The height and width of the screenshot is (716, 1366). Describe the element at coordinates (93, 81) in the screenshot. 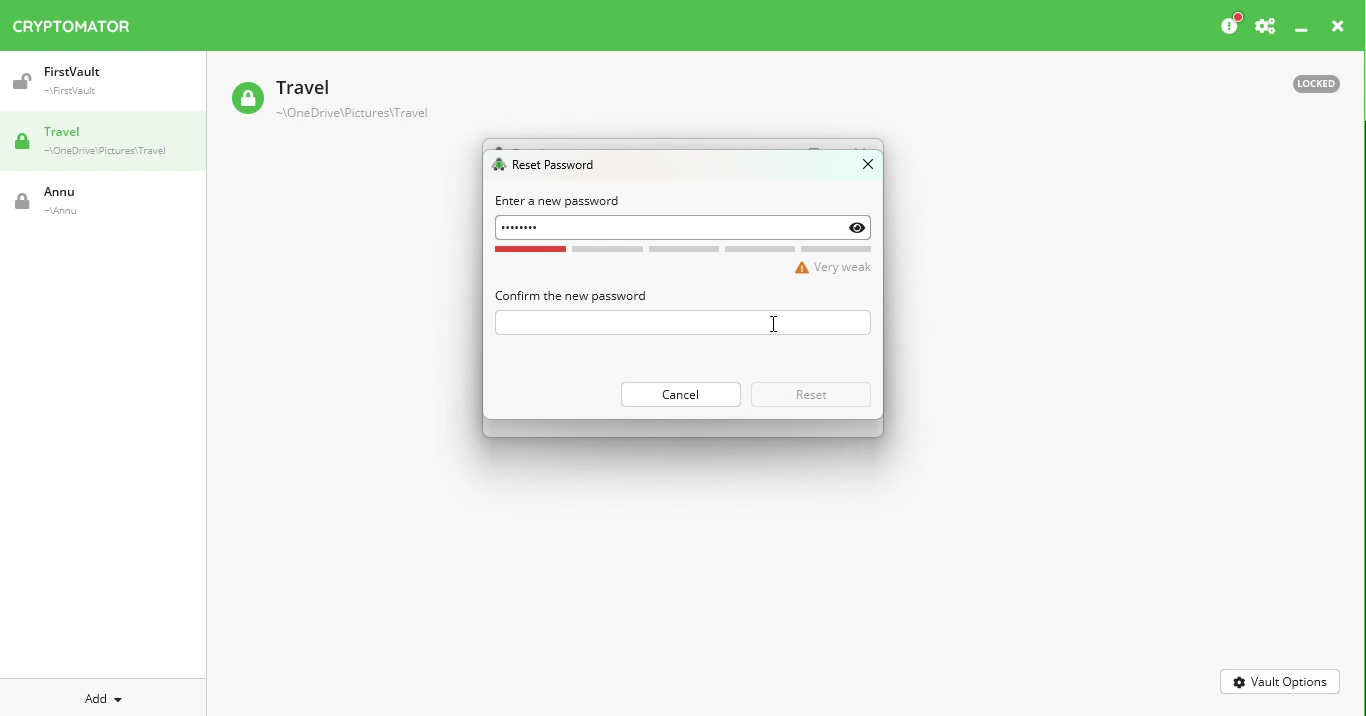

I see `Vault` at that location.